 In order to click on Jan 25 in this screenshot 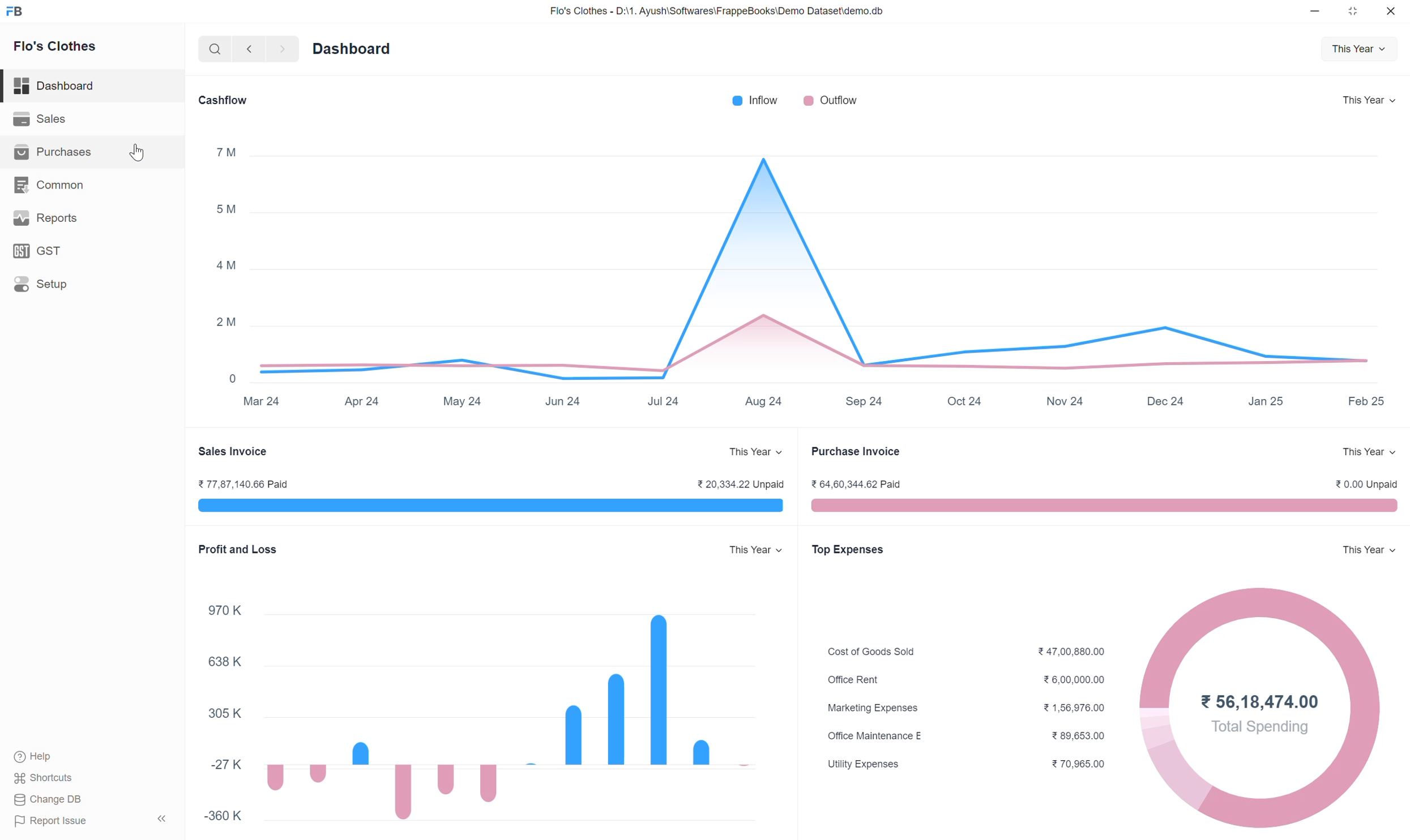, I will do `click(1266, 401)`.